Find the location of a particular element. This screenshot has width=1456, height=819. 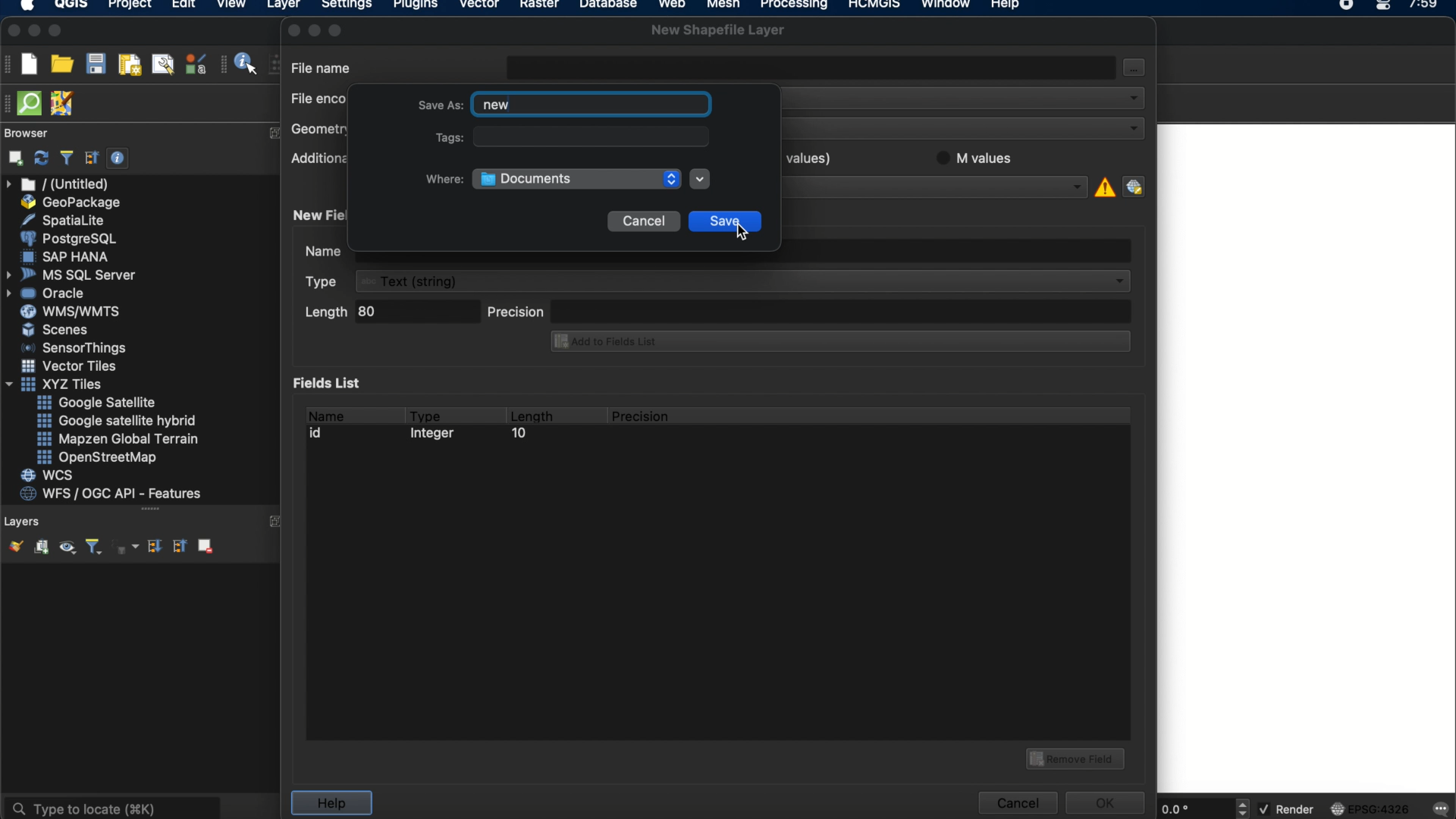

Tags is located at coordinates (438, 140).